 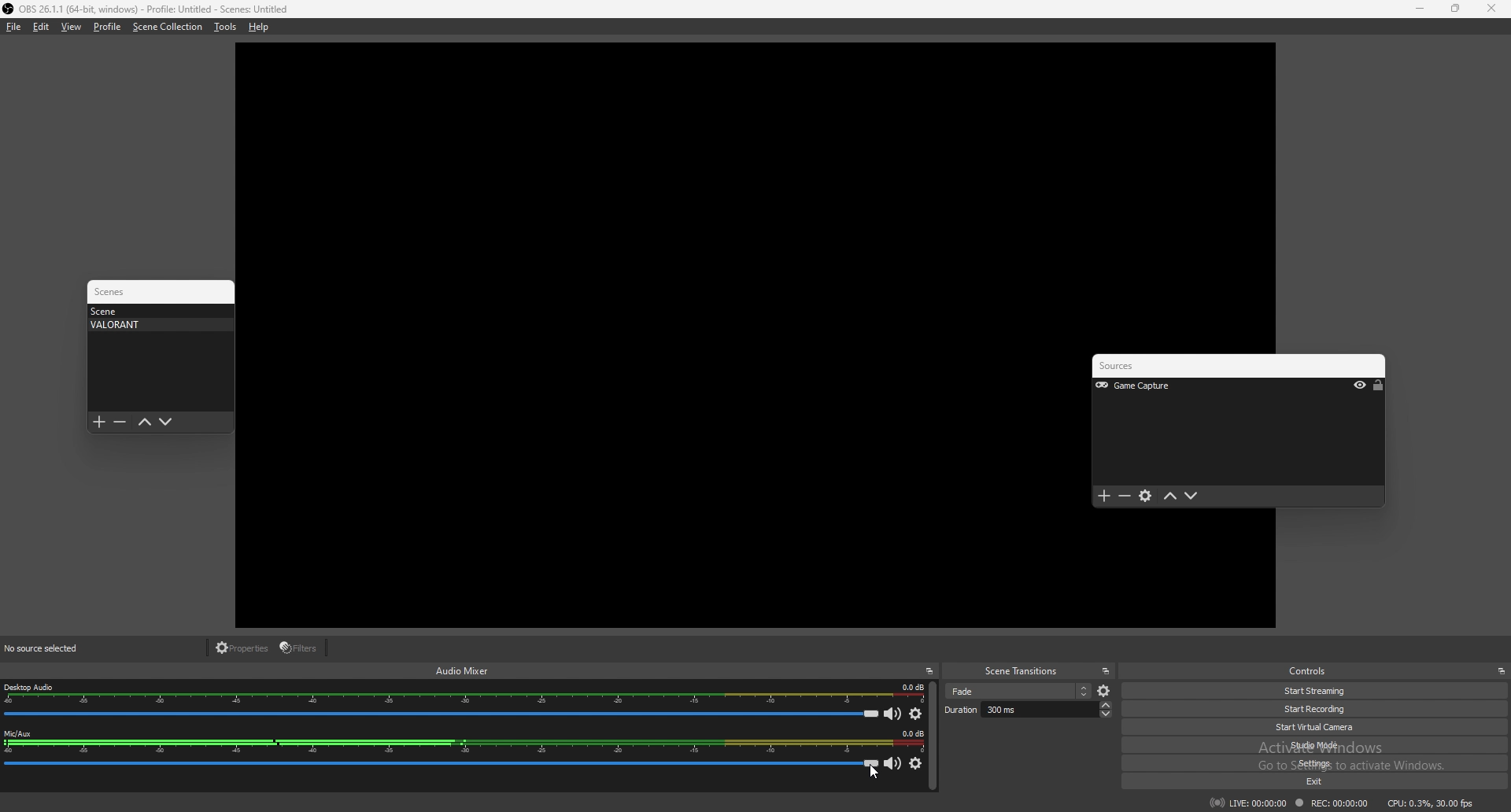 What do you see at coordinates (1419, 9) in the screenshot?
I see `minimize` at bounding box center [1419, 9].